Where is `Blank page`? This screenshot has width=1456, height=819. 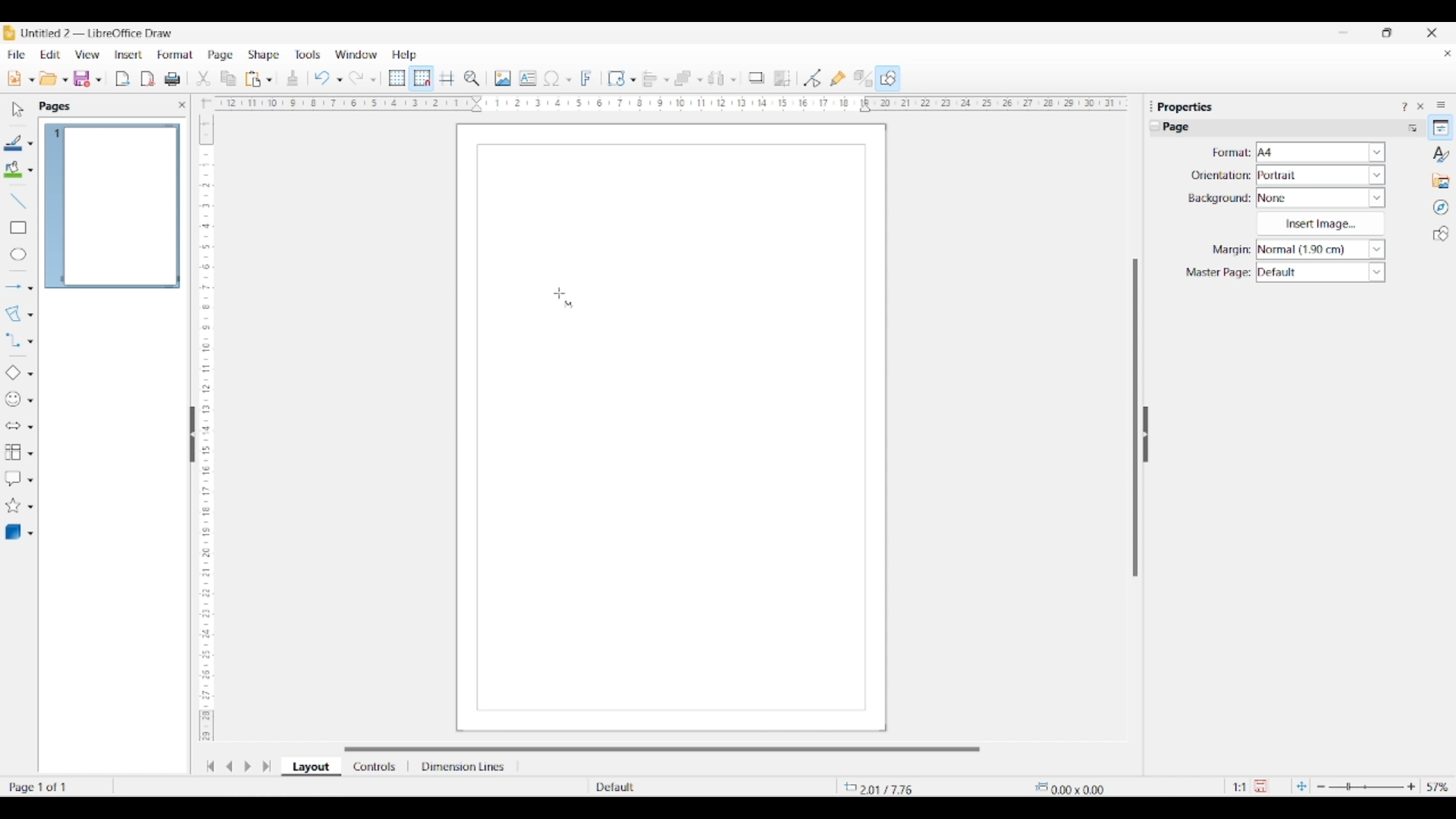
Blank page is located at coordinates (671, 524).